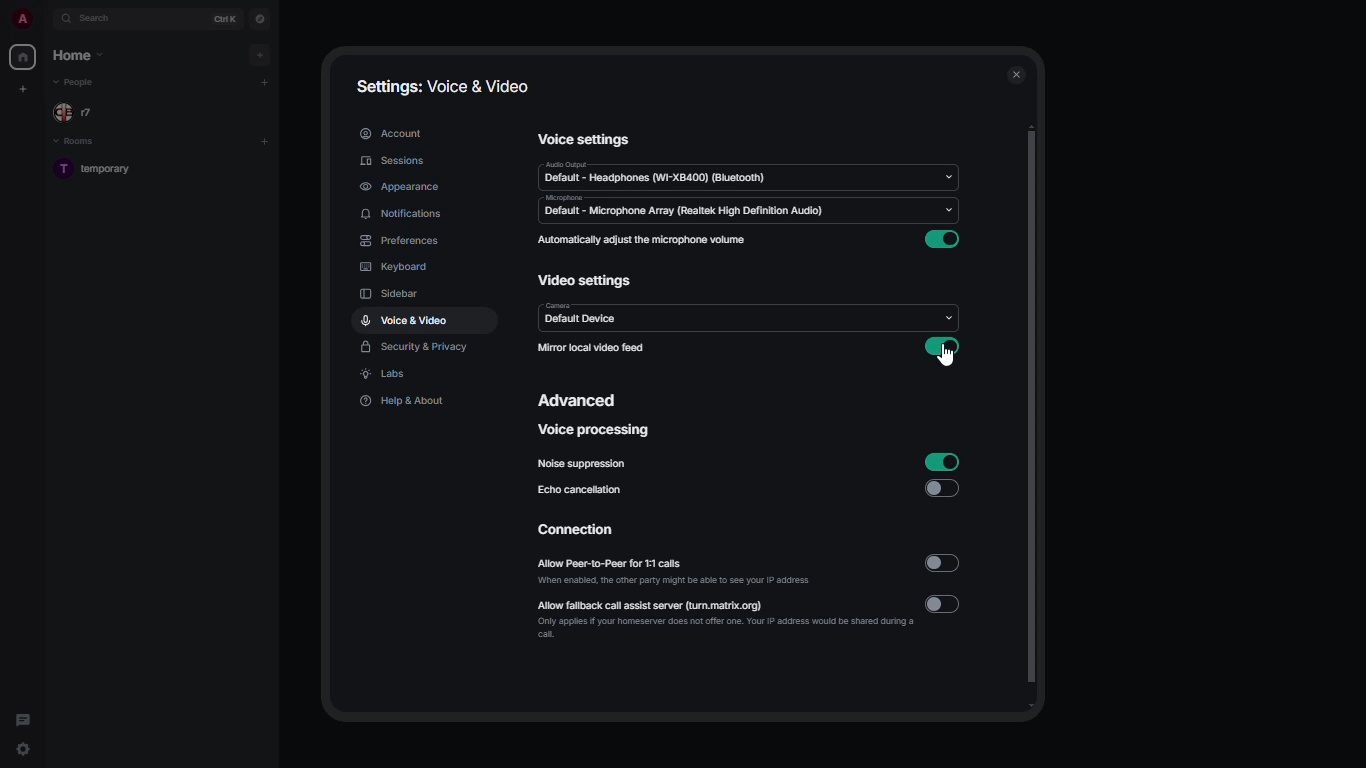  Describe the element at coordinates (24, 751) in the screenshot. I see `cursor` at that location.